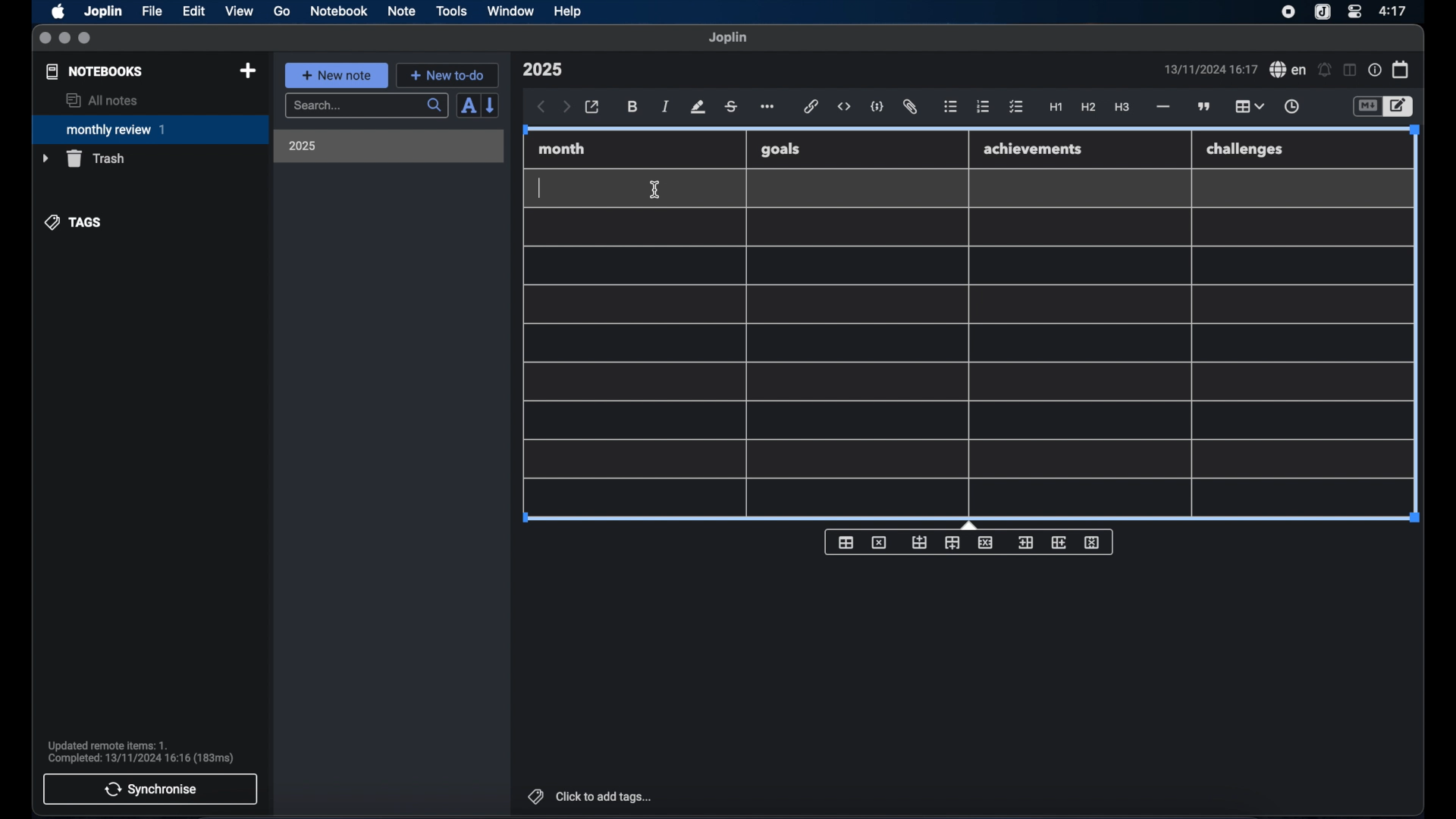 The image size is (1456, 819). What do you see at coordinates (1351, 70) in the screenshot?
I see `toggle editor layout` at bounding box center [1351, 70].